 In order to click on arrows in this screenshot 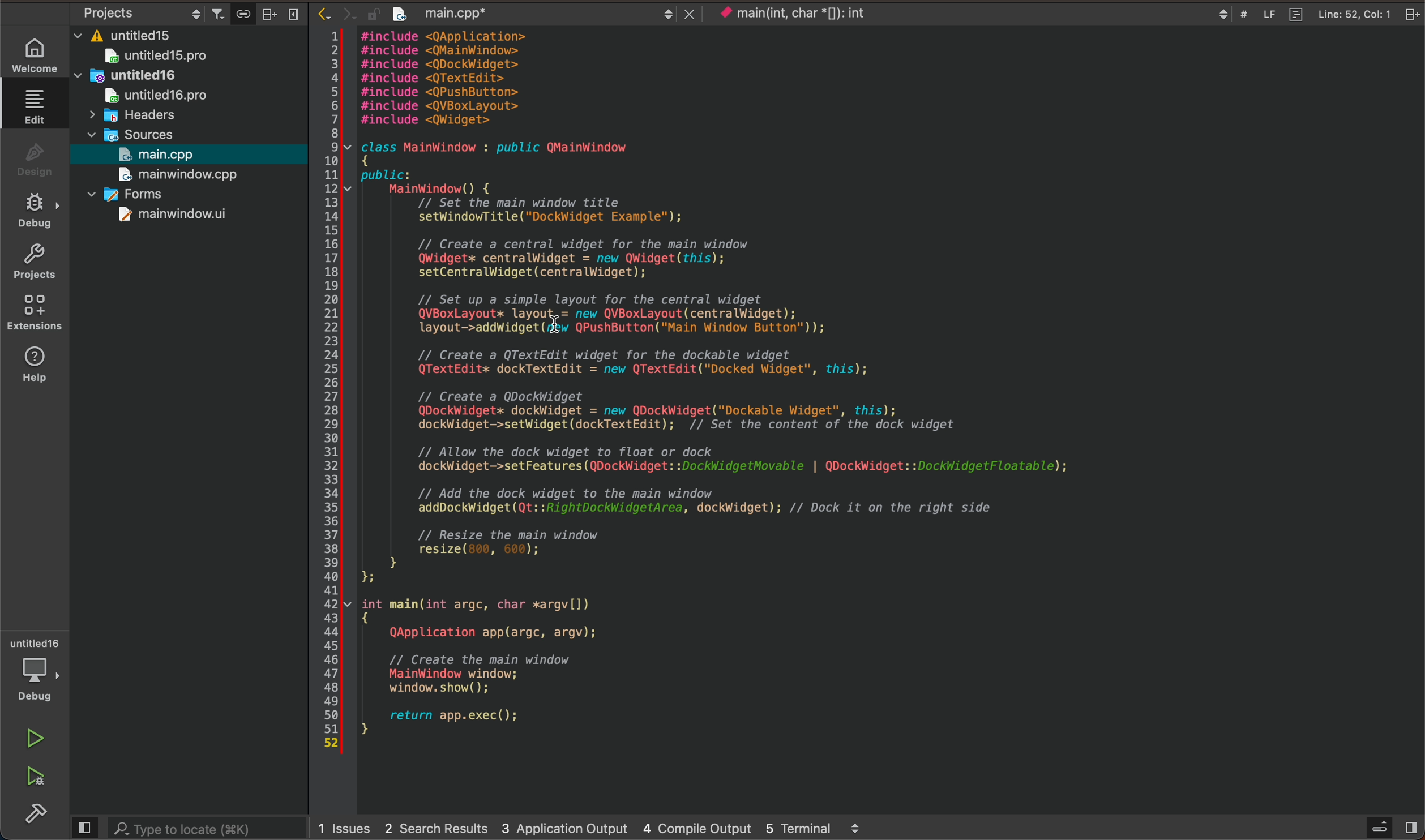, I will do `click(332, 15)`.